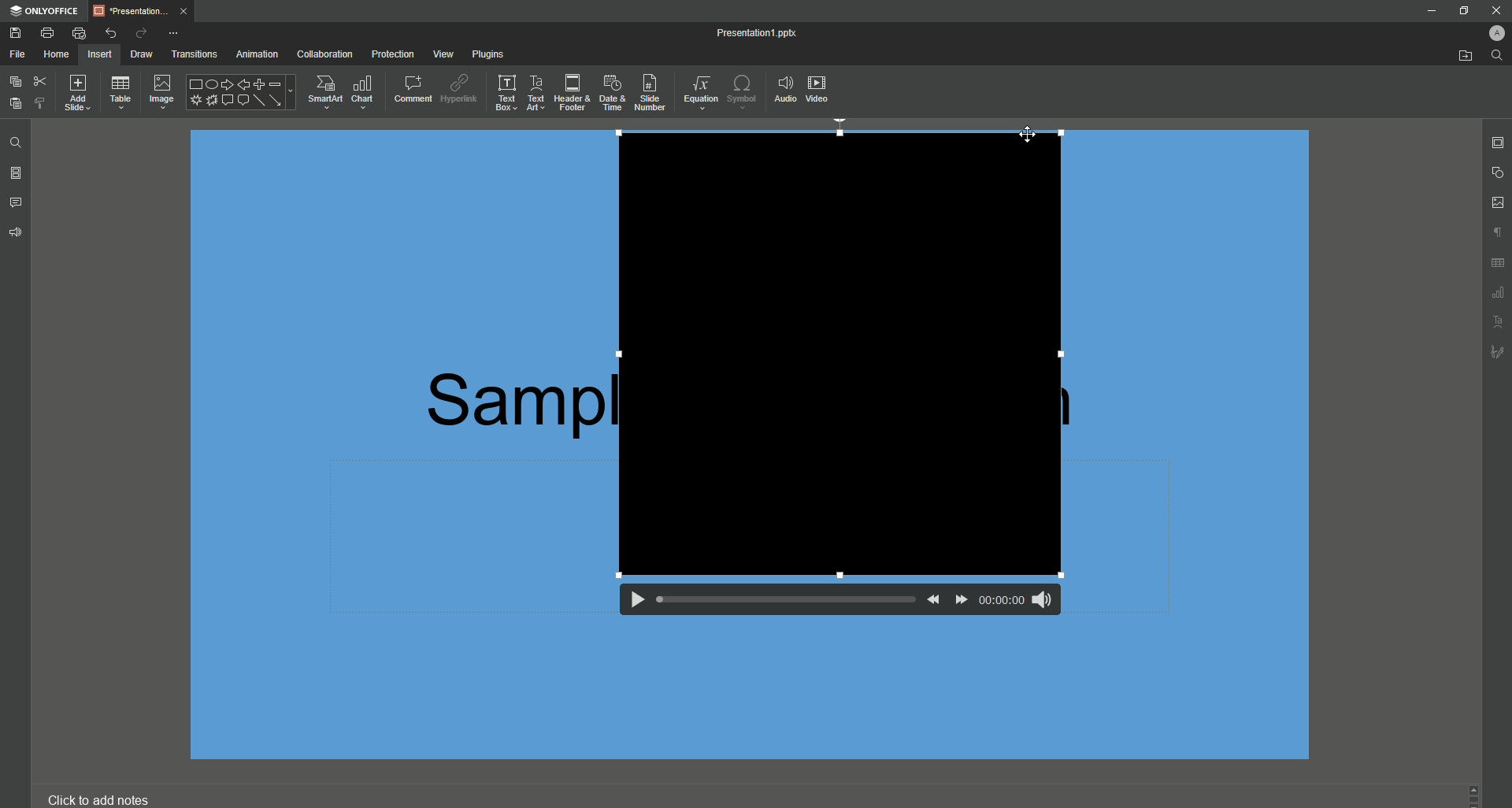 The height and width of the screenshot is (808, 1512). What do you see at coordinates (324, 91) in the screenshot?
I see `SmartArt` at bounding box center [324, 91].